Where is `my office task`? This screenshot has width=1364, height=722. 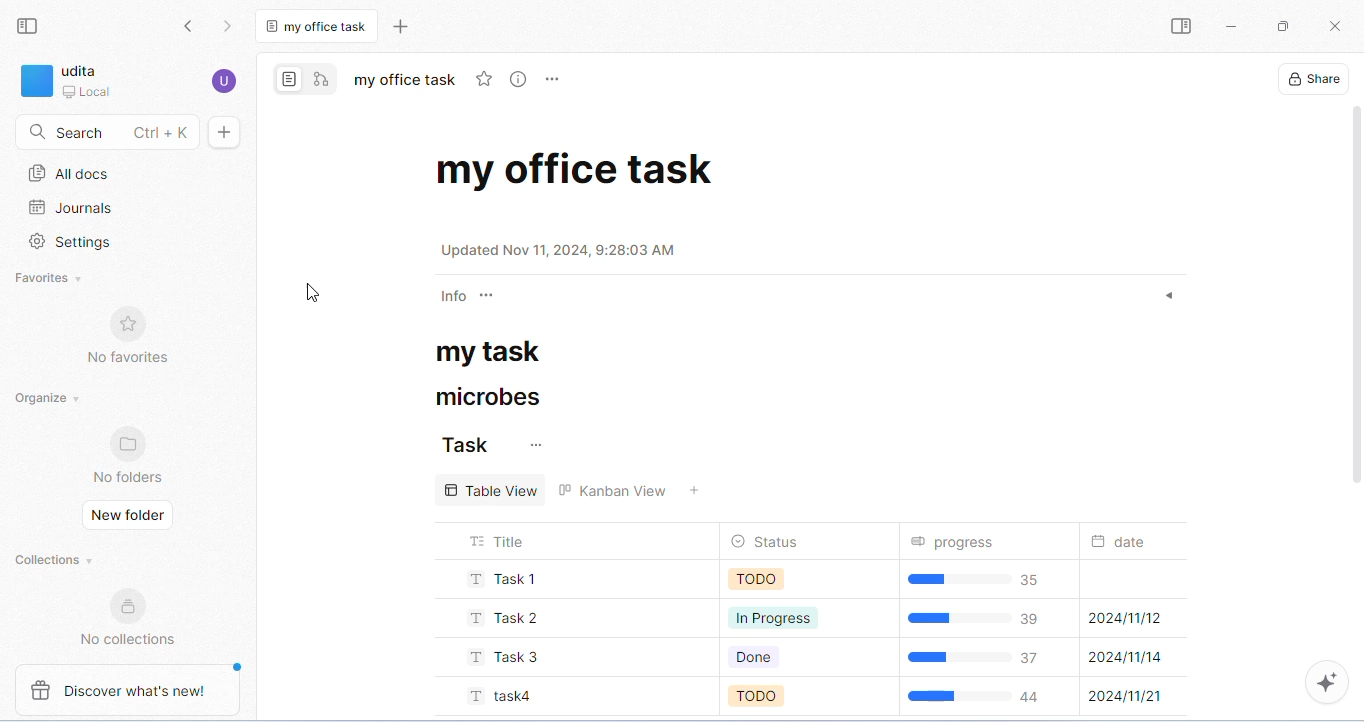 my office task is located at coordinates (407, 79).